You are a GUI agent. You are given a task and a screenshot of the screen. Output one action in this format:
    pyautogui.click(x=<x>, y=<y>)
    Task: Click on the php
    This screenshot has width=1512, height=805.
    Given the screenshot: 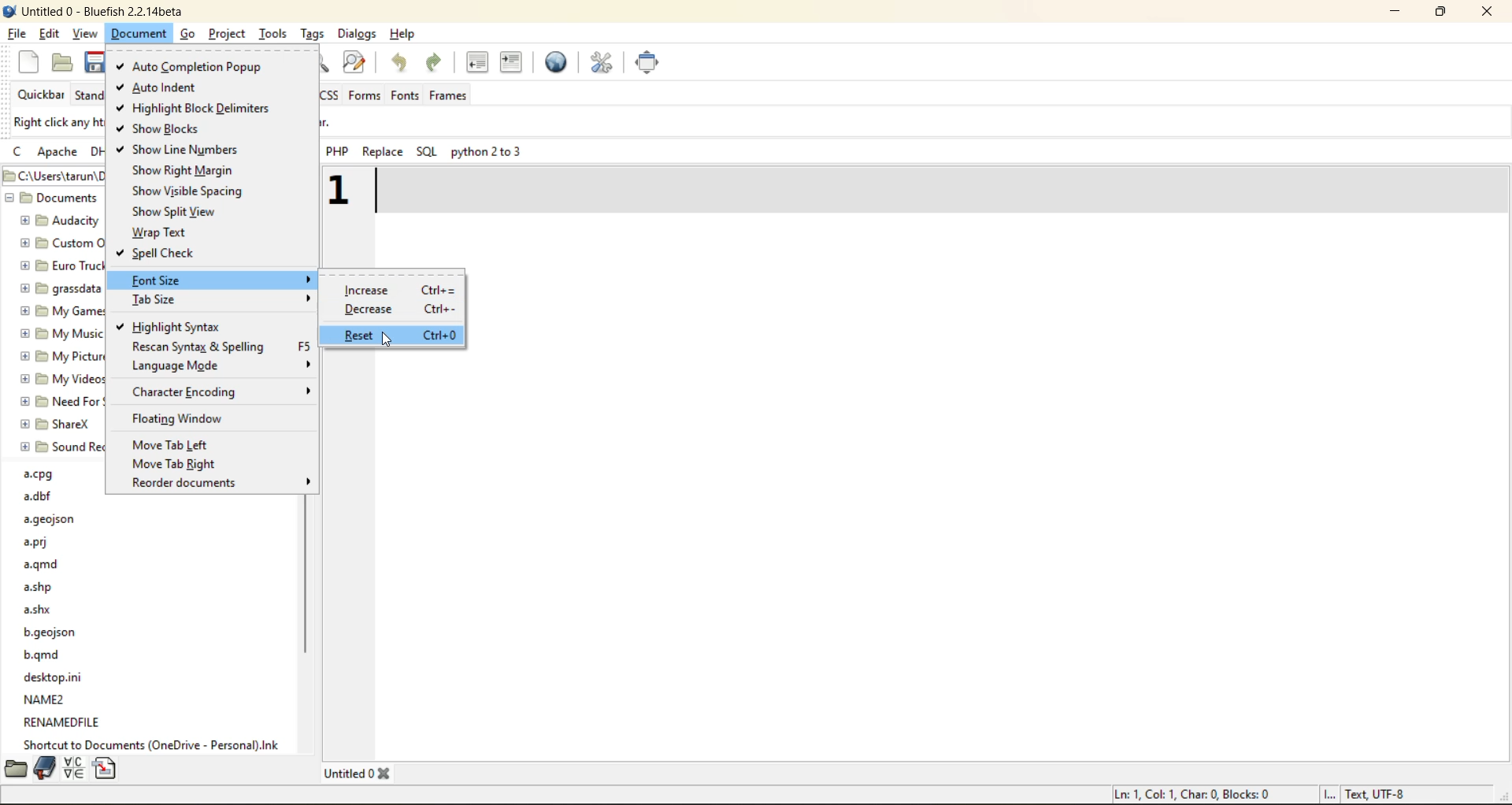 What is the action you would take?
    pyautogui.click(x=339, y=150)
    